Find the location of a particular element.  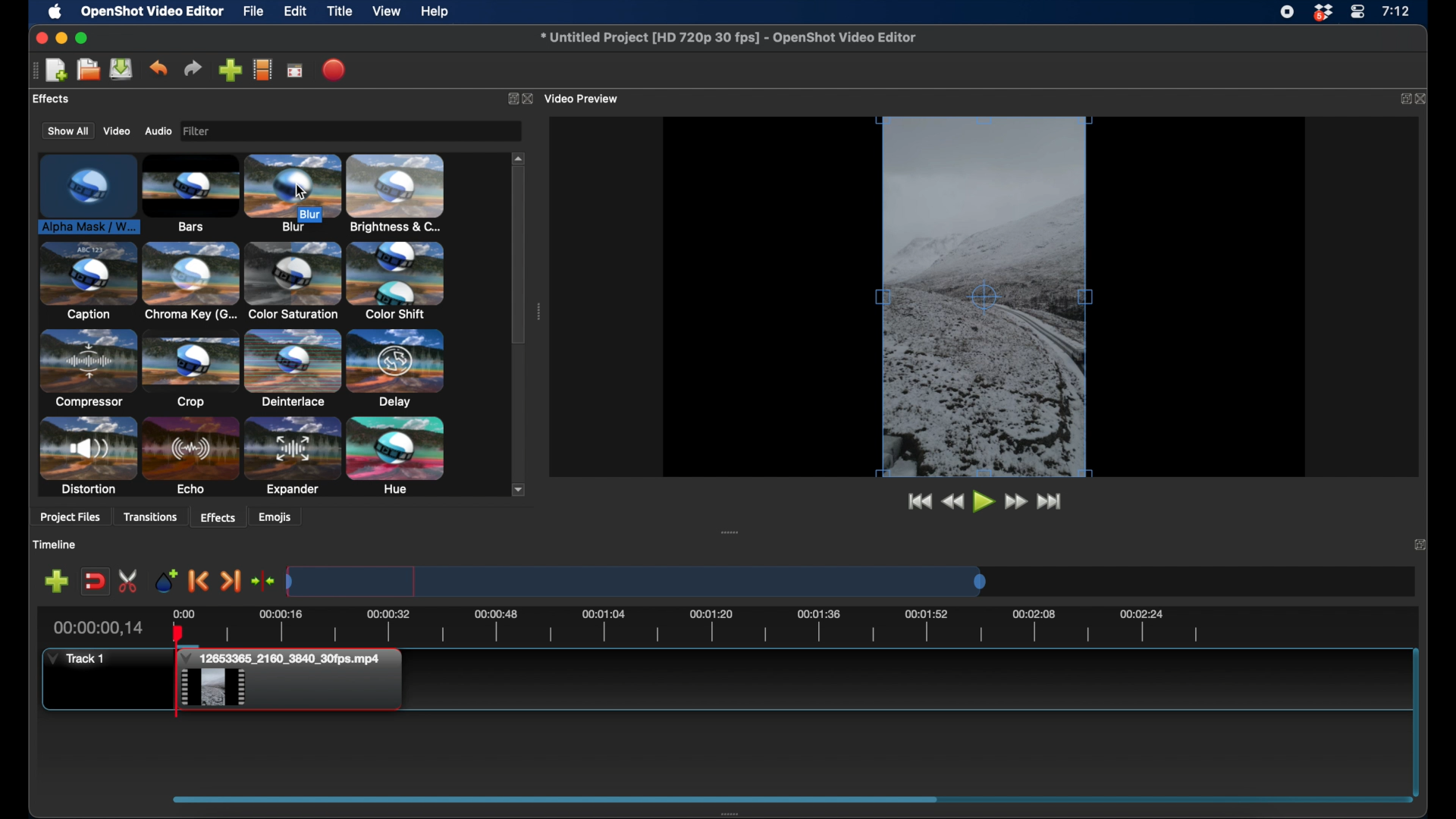

timeline scale is located at coordinates (637, 581).